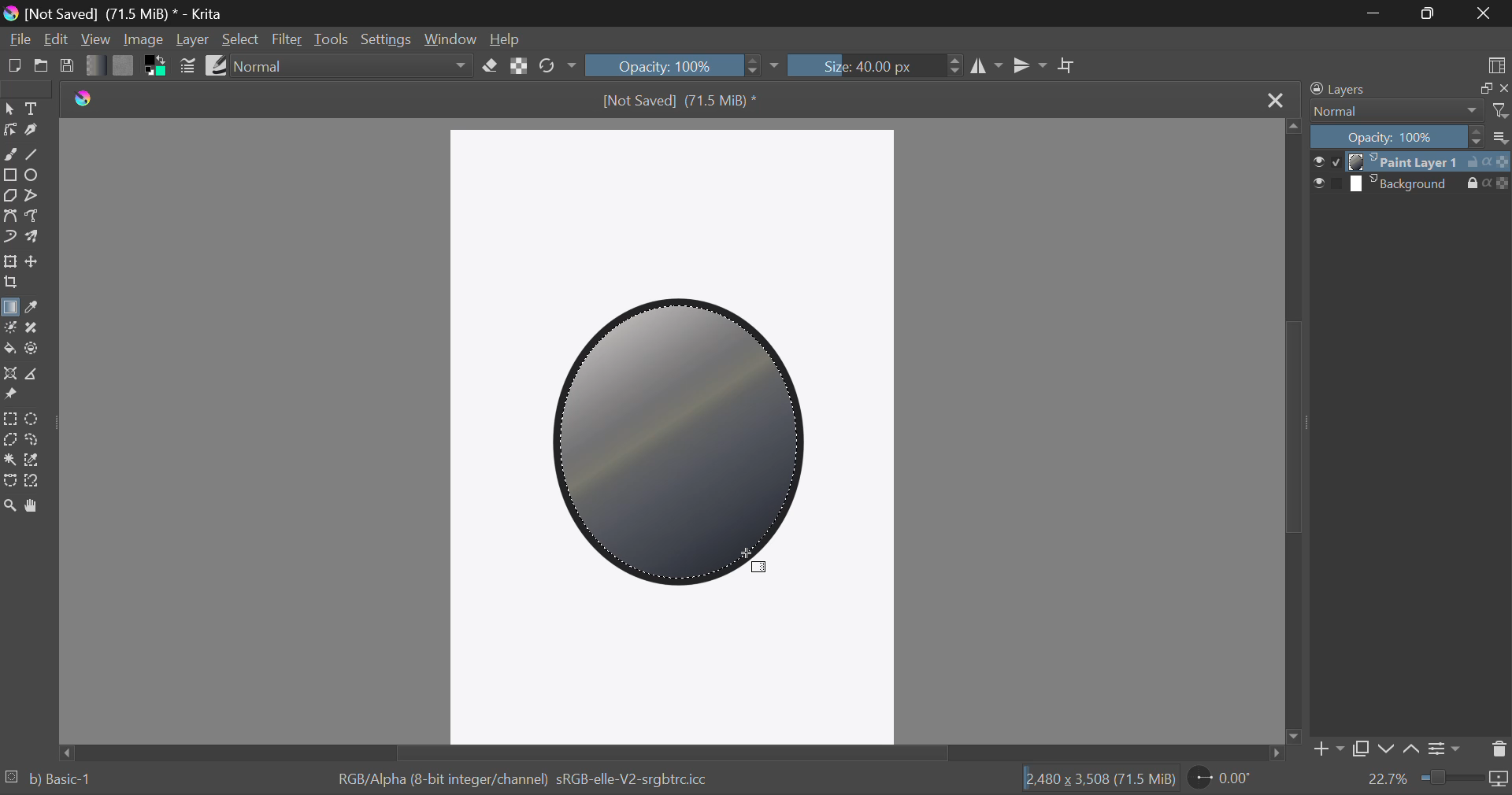 Image resolution: width=1512 pixels, height=795 pixels. What do you see at coordinates (35, 329) in the screenshot?
I see `Smart Patch Tool` at bounding box center [35, 329].